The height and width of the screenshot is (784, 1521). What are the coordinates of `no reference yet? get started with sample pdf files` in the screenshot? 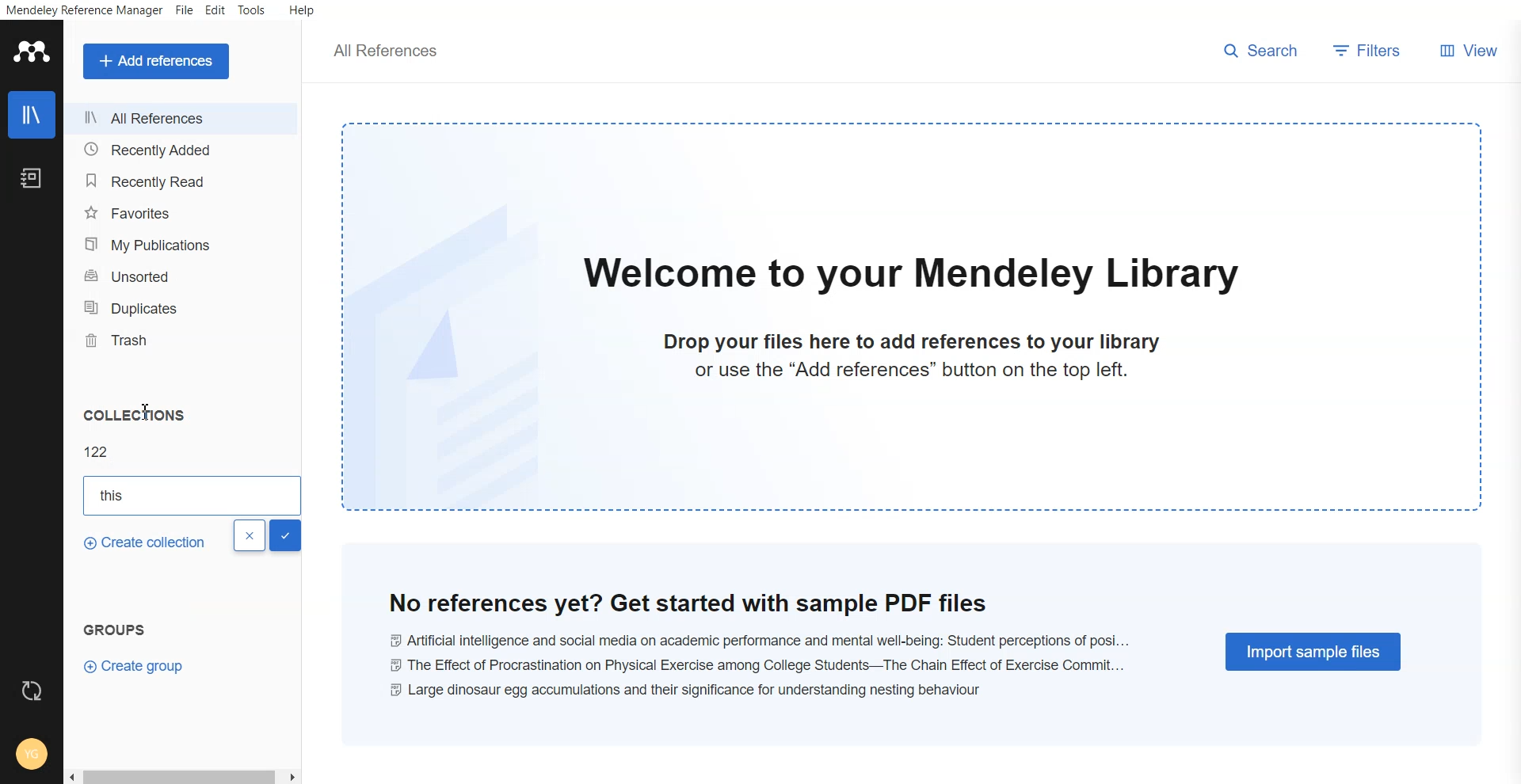 It's located at (760, 602).